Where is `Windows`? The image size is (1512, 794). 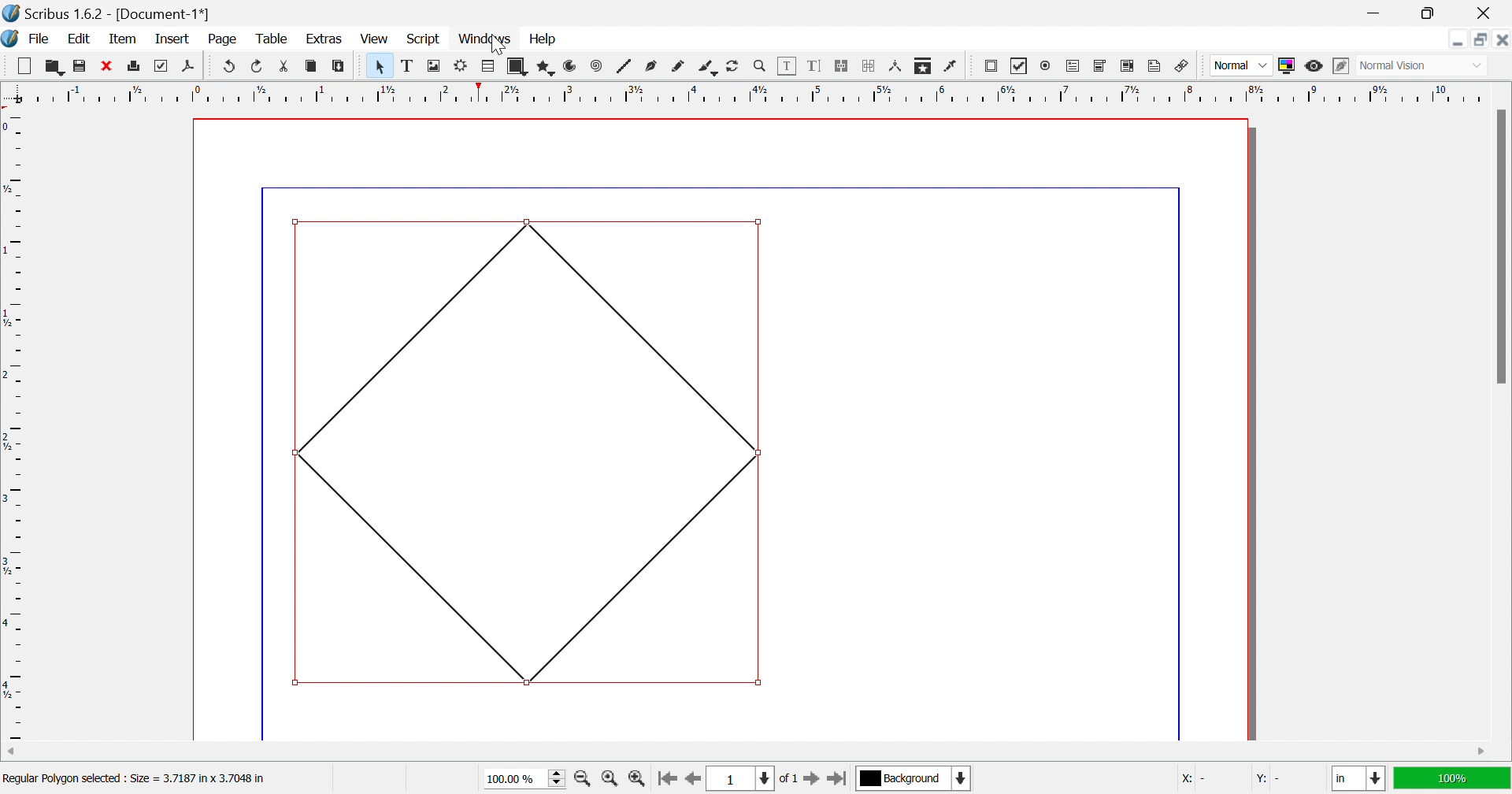 Windows is located at coordinates (487, 39).